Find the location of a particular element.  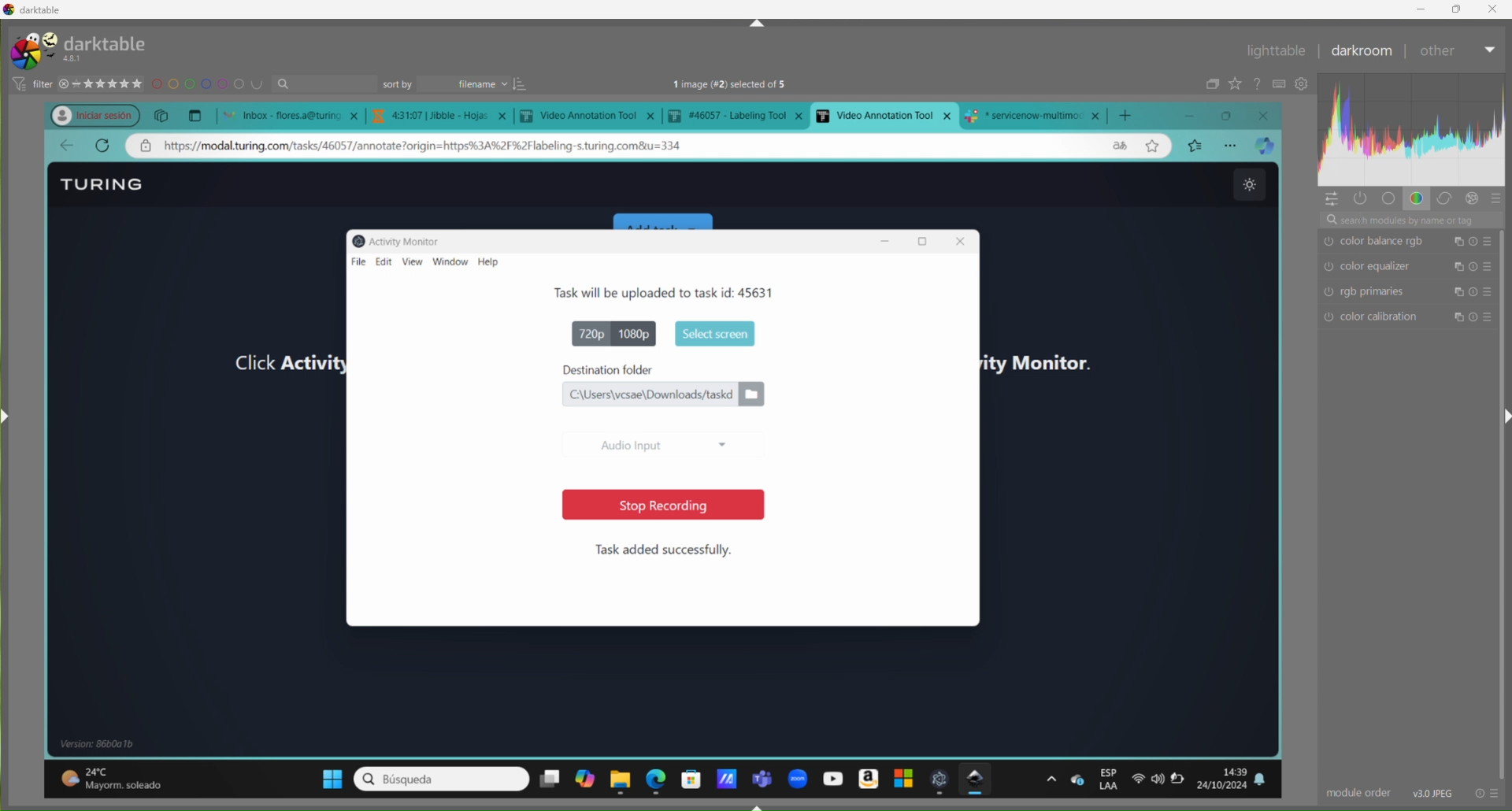

theme change is located at coordinates (1247, 185).